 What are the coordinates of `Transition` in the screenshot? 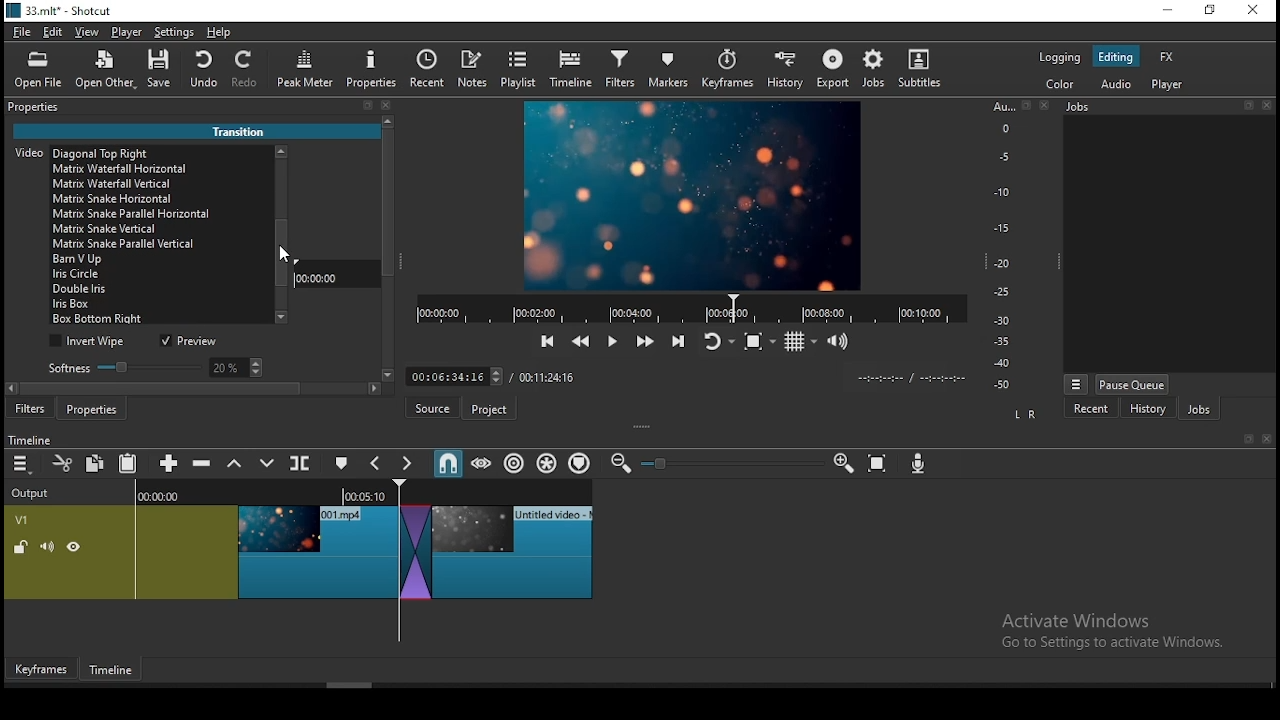 It's located at (246, 129).